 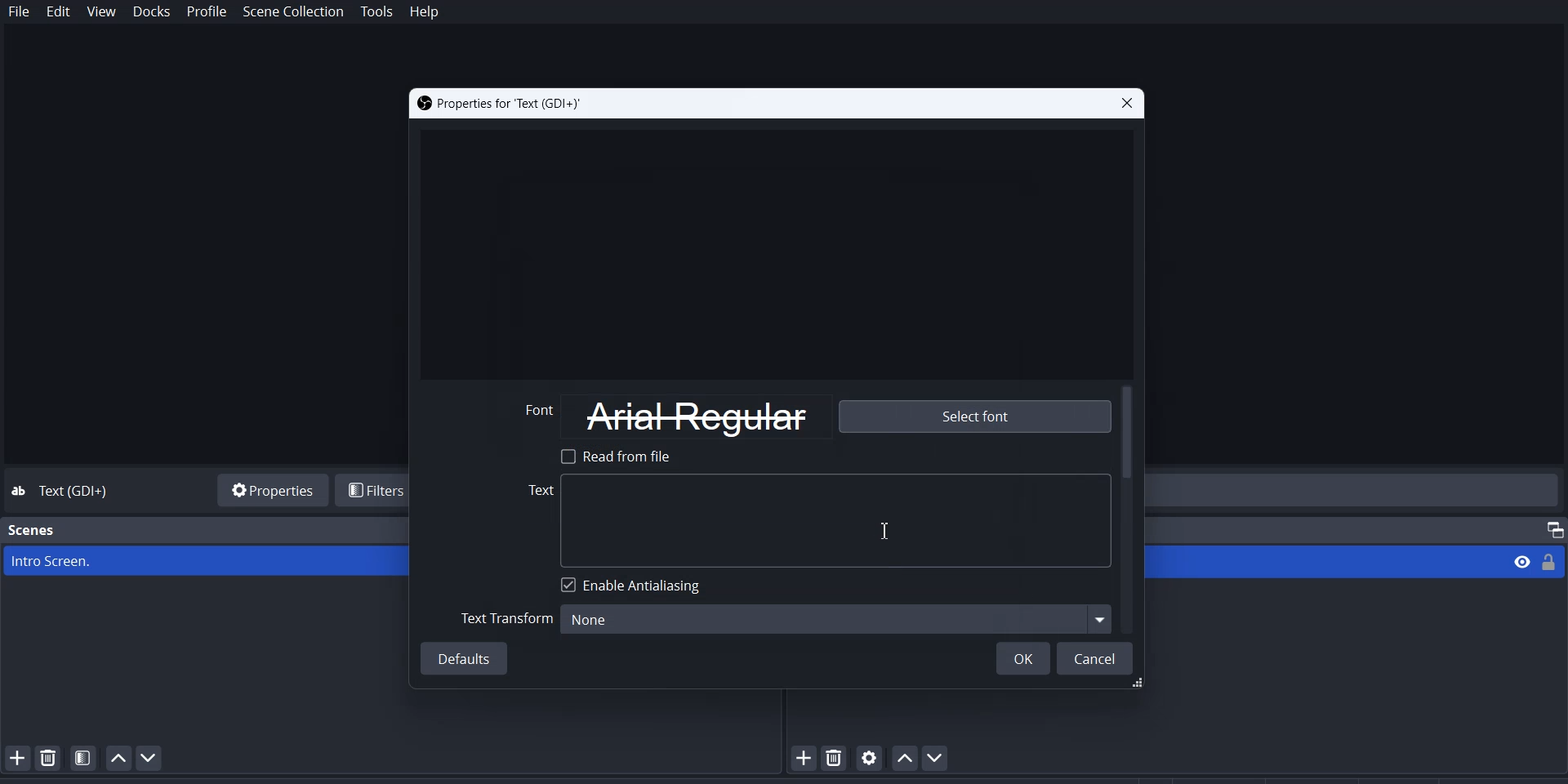 What do you see at coordinates (155, 758) in the screenshot?
I see `Move scene Down` at bounding box center [155, 758].